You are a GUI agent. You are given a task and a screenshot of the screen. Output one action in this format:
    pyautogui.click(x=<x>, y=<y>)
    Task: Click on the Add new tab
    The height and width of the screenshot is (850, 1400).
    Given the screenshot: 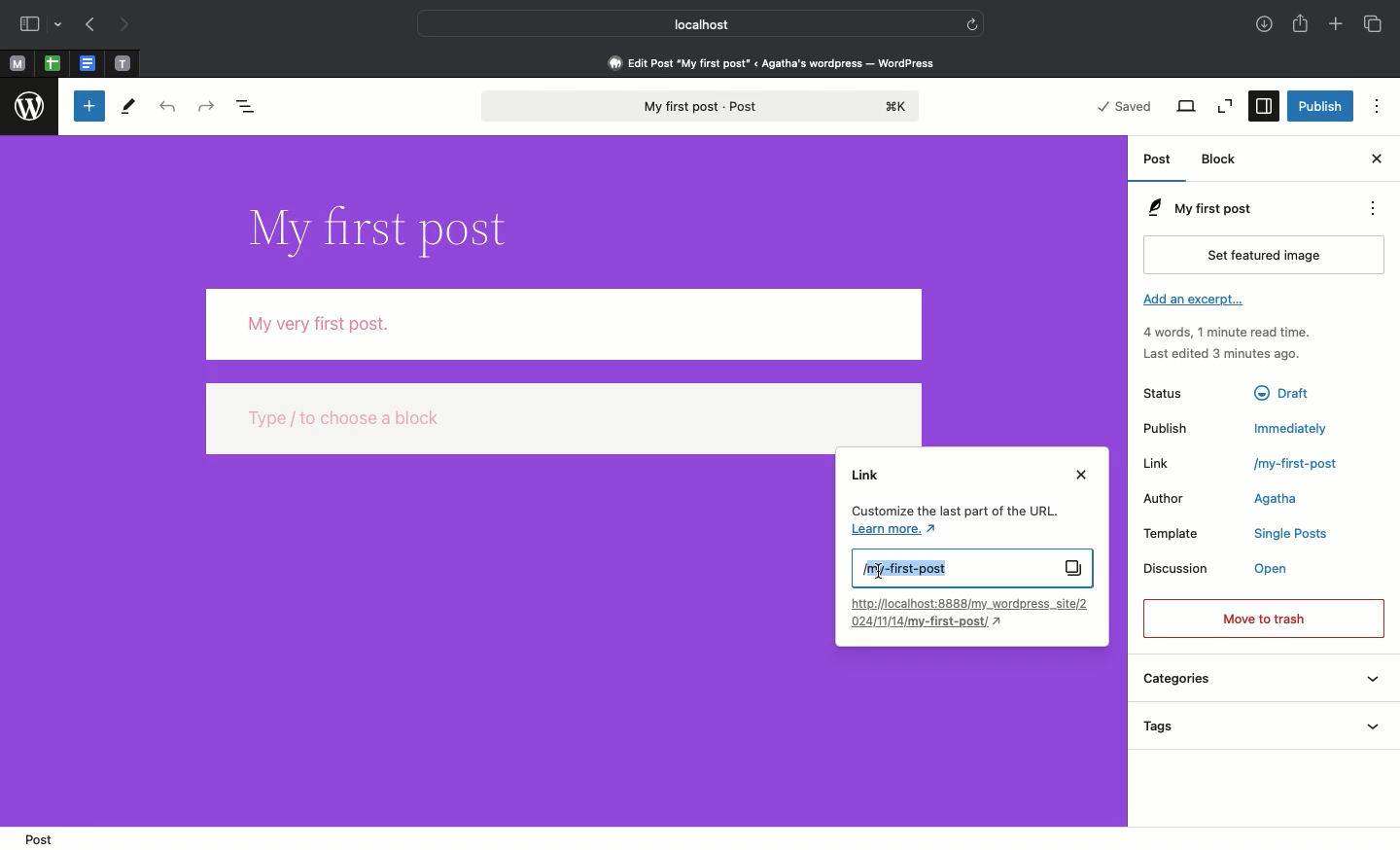 What is the action you would take?
    pyautogui.click(x=1337, y=25)
    